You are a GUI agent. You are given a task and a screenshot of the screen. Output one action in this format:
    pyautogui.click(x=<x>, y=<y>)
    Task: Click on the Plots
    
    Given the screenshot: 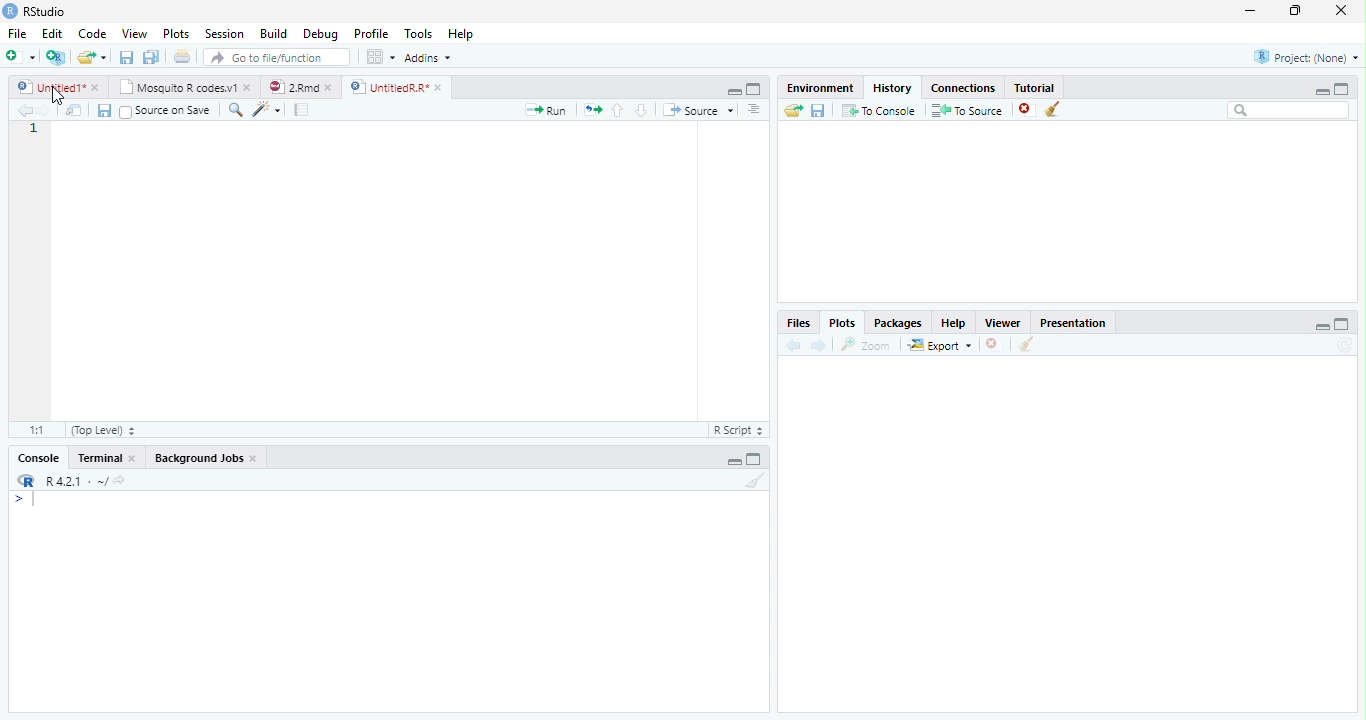 What is the action you would take?
    pyautogui.click(x=843, y=322)
    